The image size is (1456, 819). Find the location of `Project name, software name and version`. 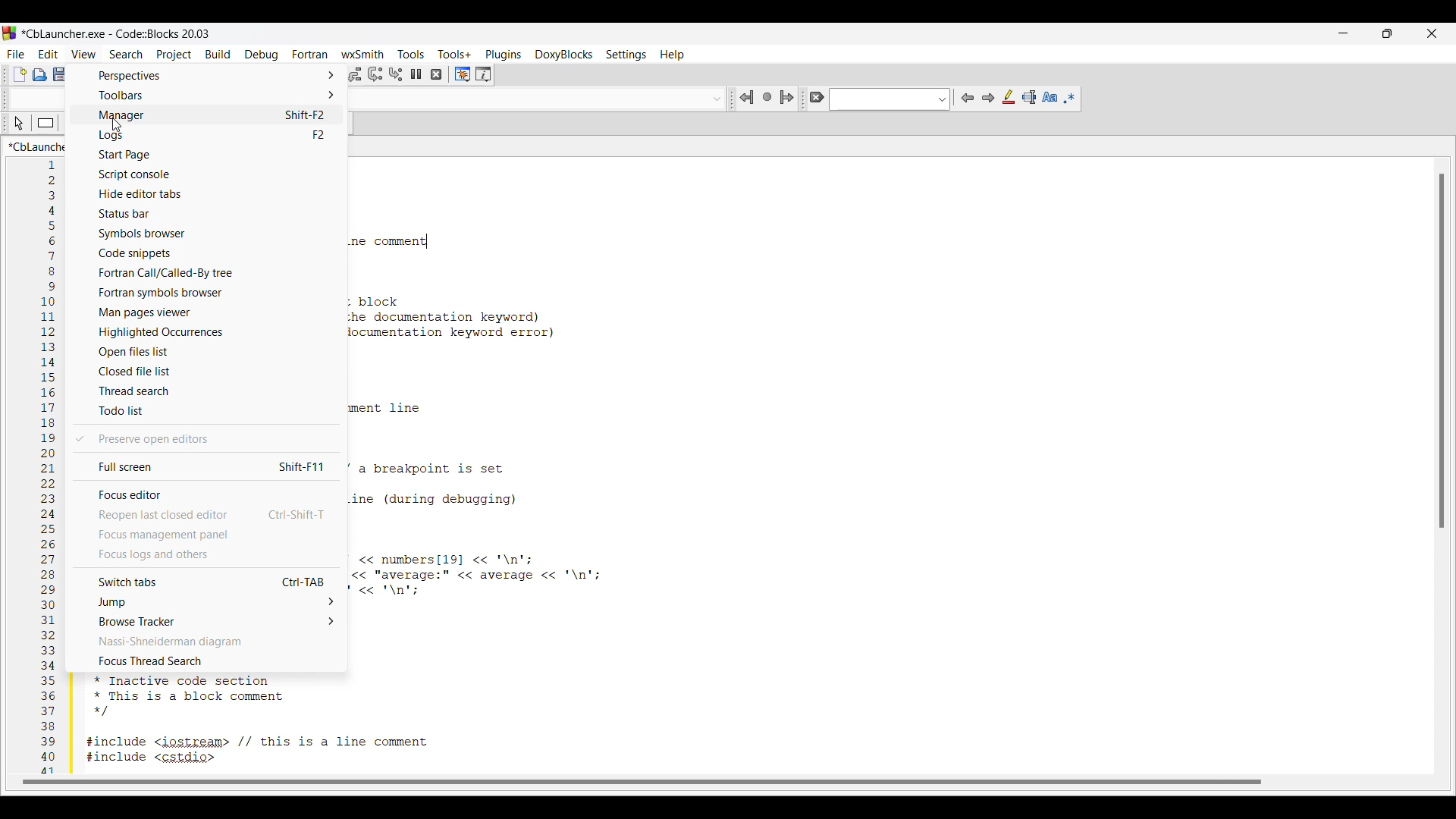

Project name, software name and version is located at coordinates (117, 33).